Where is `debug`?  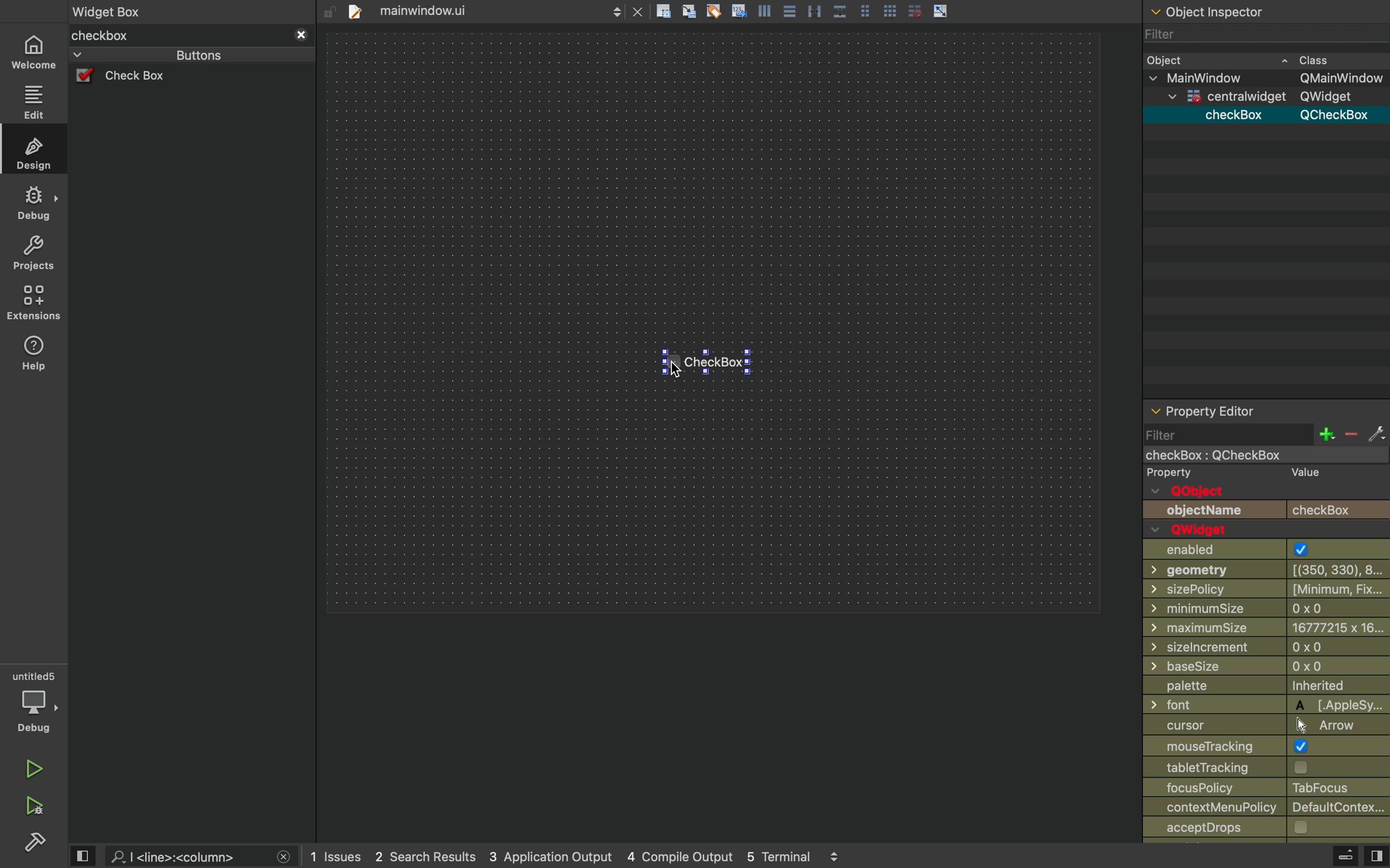 debug is located at coordinates (33, 203).